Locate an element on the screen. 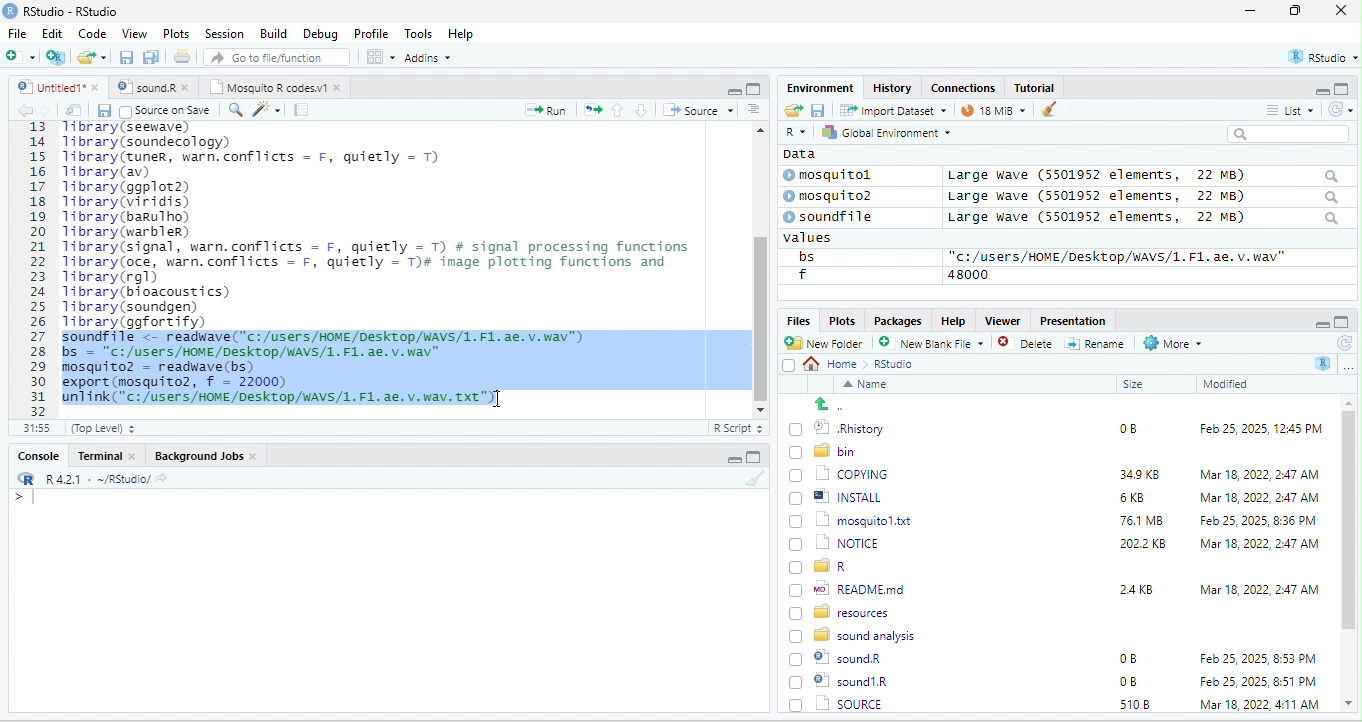 The image size is (1362, 722). 76.1 MB is located at coordinates (1141, 519).